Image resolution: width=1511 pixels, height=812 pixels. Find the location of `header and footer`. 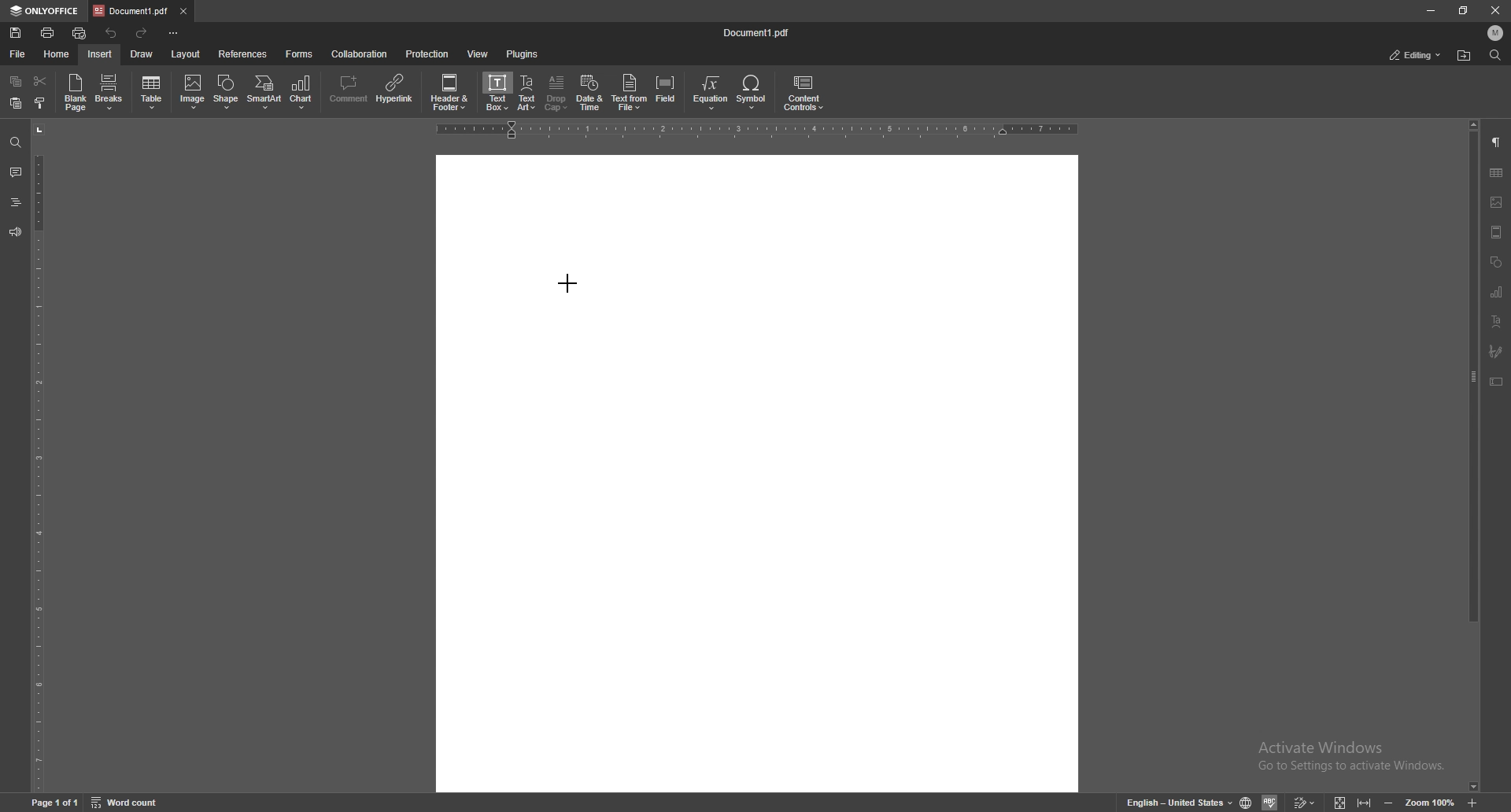

header and footer is located at coordinates (1496, 232).